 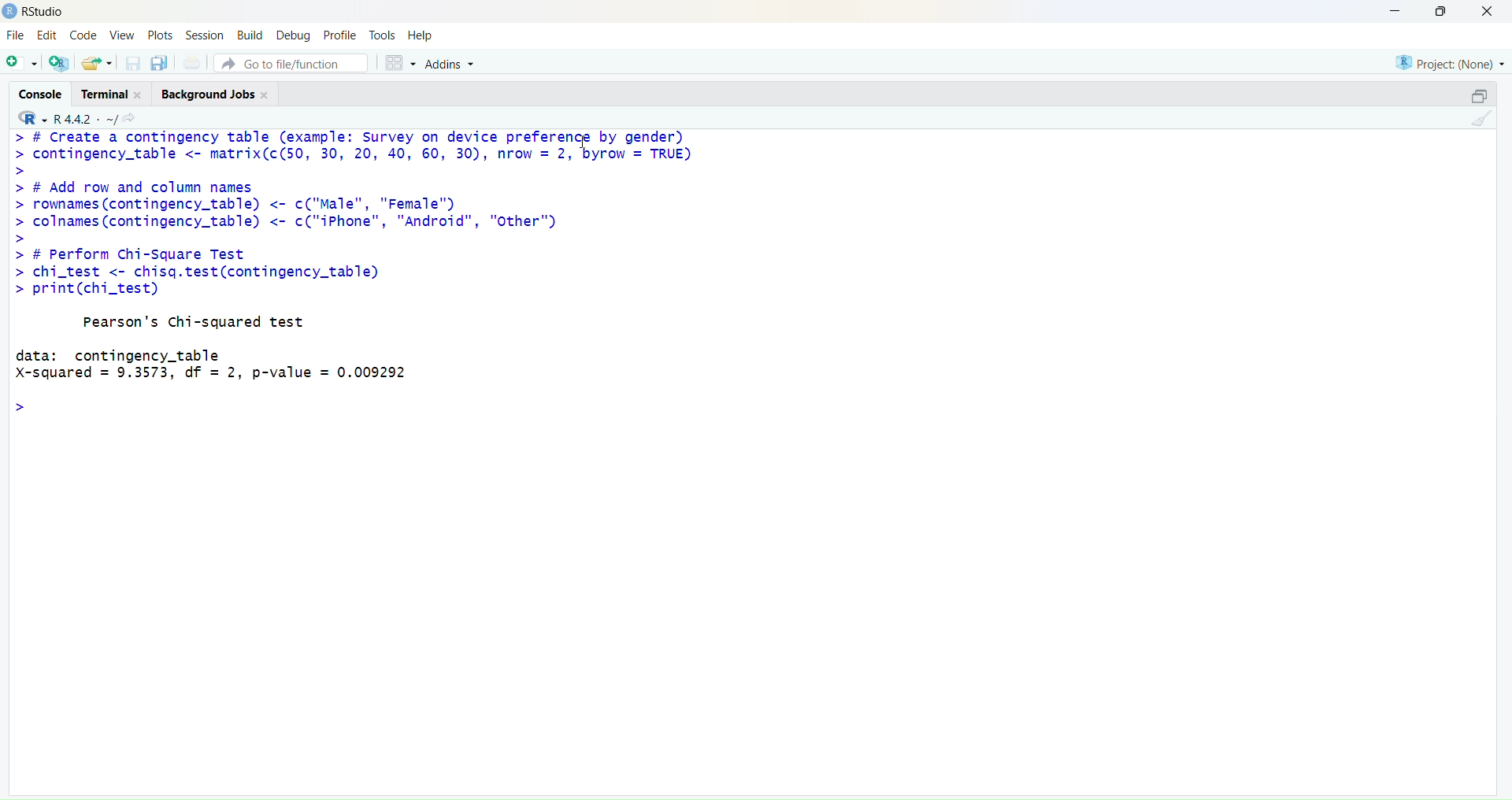 I want to click on console, so click(x=42, y=94).